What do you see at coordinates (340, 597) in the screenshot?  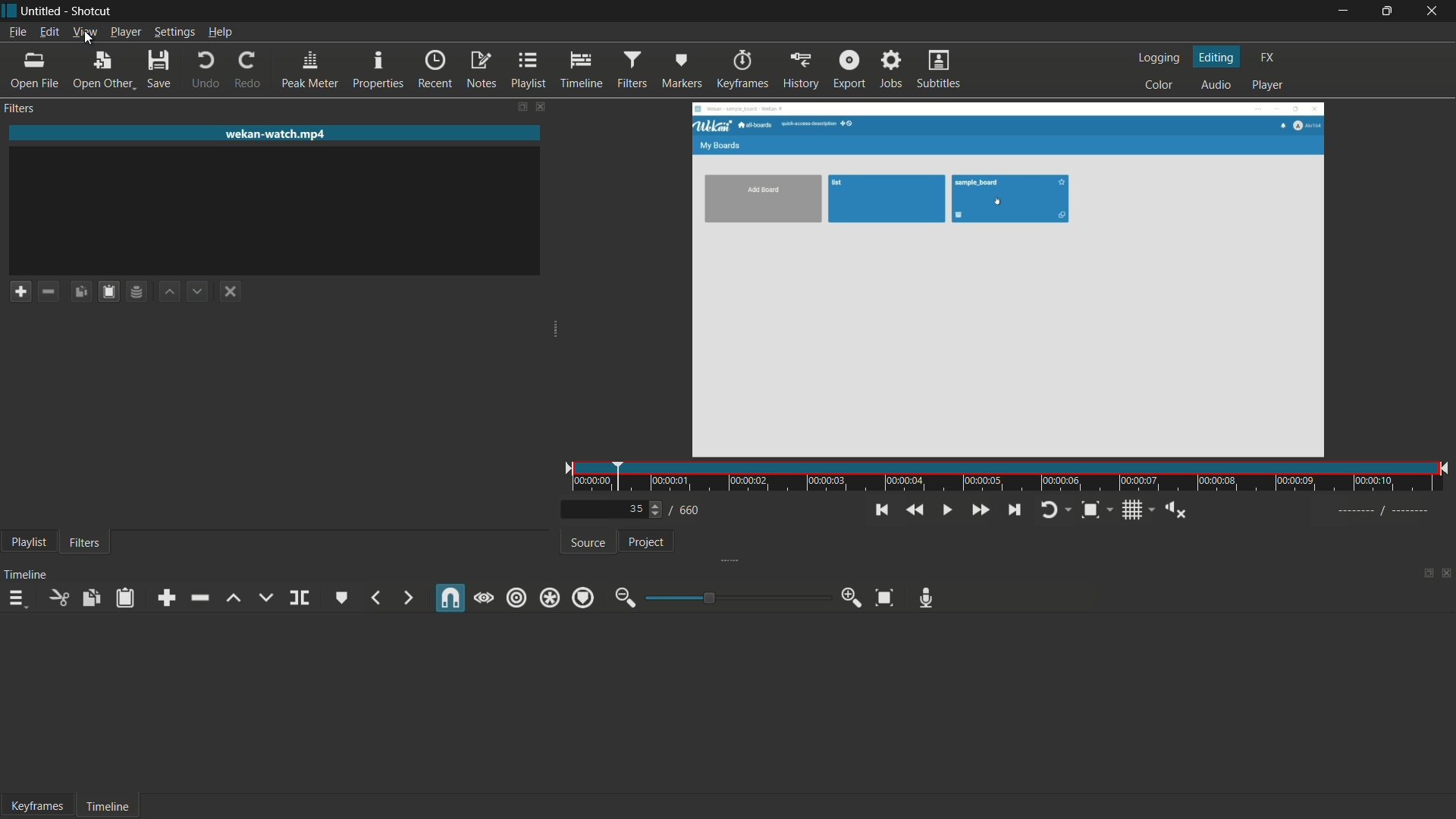 I see `create or edit marker` at bounding box center [340, 597].